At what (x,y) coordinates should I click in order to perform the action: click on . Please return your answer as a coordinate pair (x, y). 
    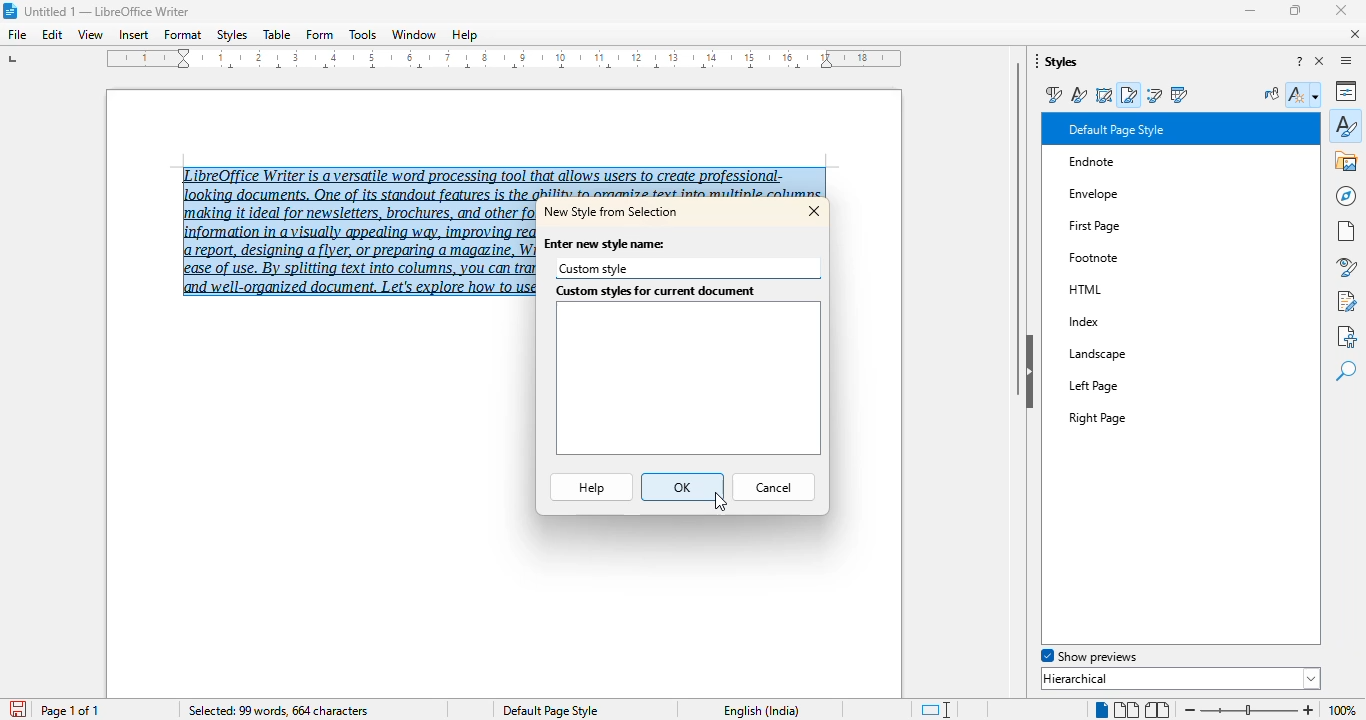
    Looking at the image, I should click on (1092, 256).